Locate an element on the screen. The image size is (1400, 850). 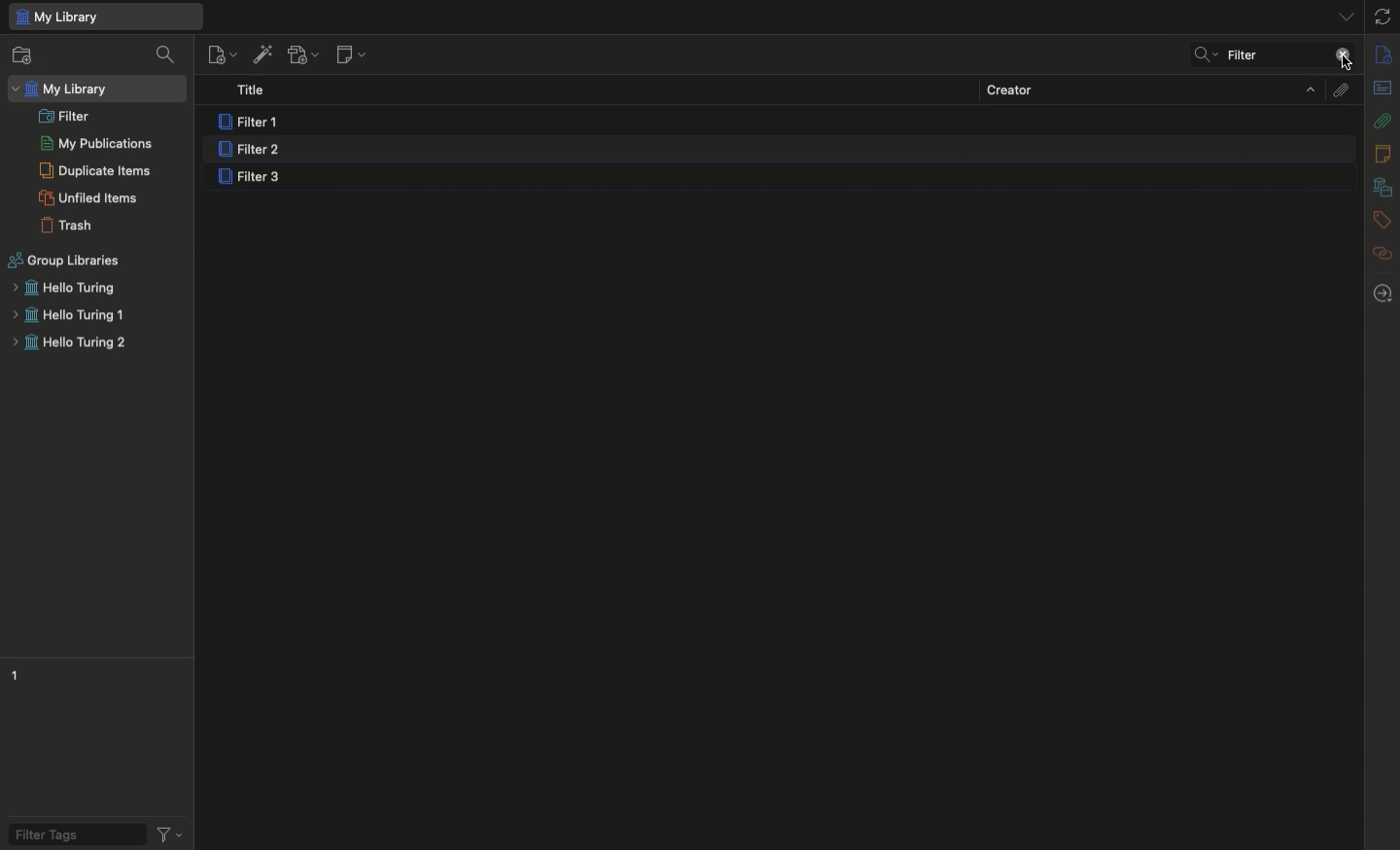
Actions is located at coordinates (173, 832).